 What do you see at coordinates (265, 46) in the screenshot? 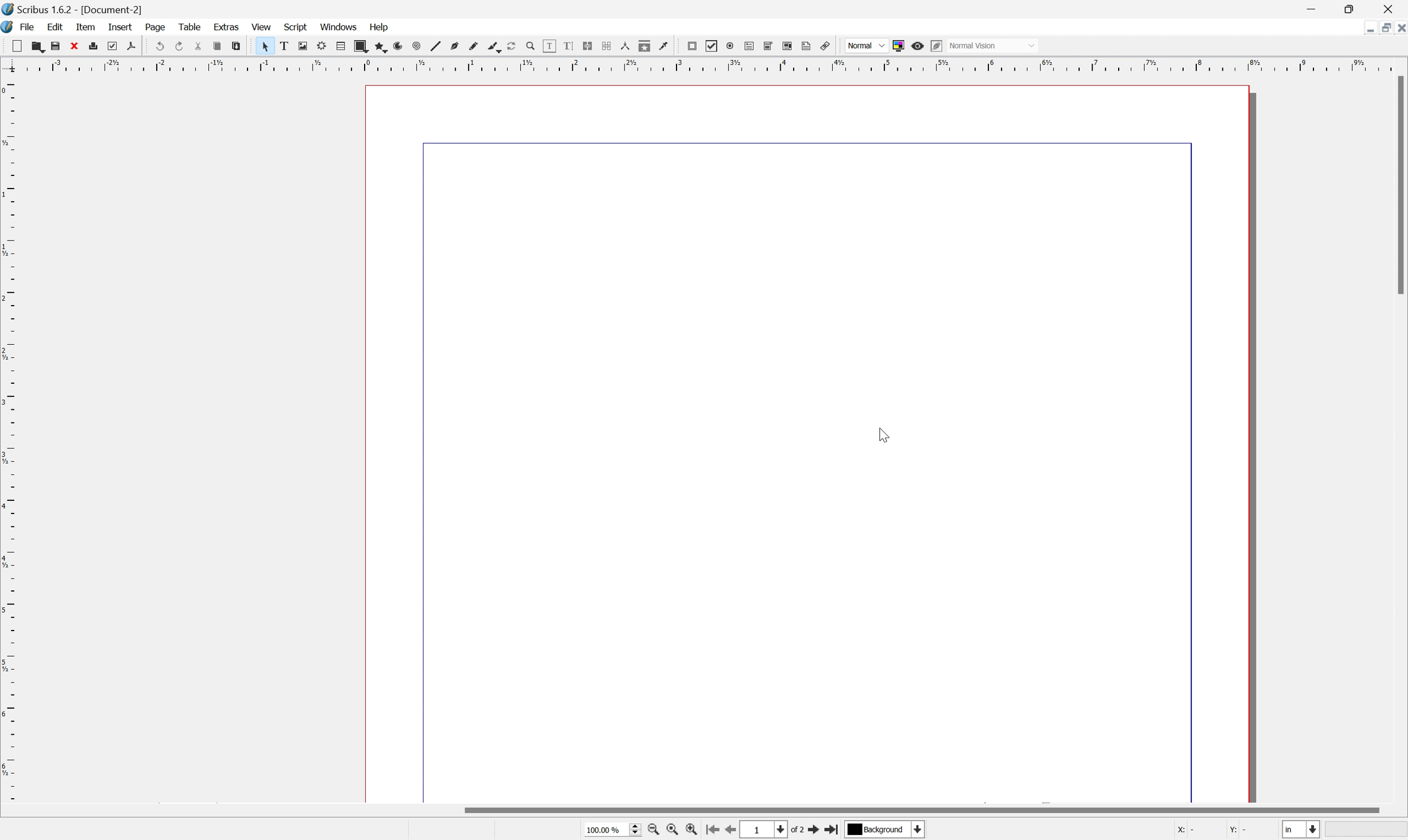
I see `Select item` at bounding box center [265, 46].